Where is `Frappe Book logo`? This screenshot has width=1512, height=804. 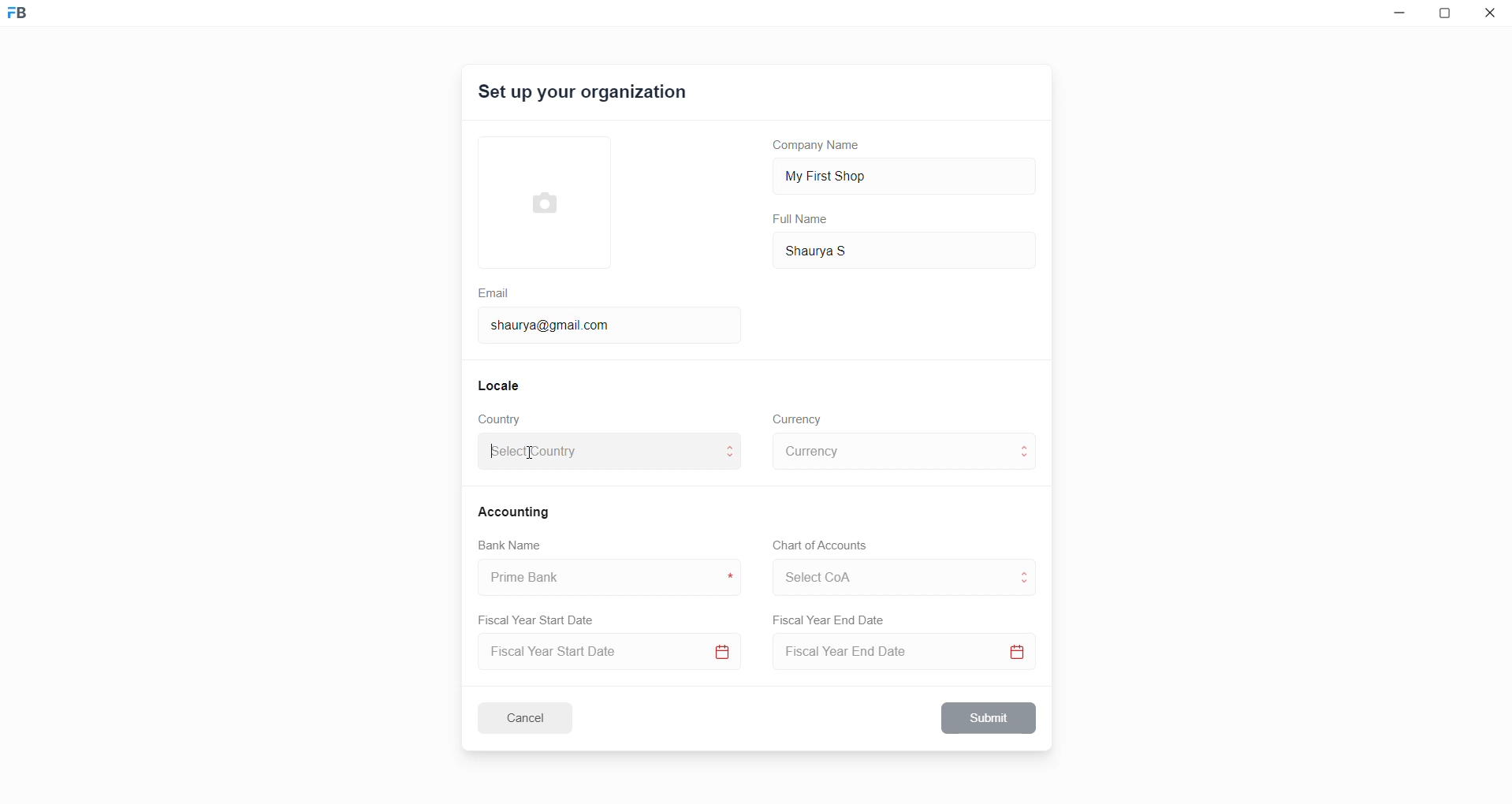
Frappe Book logo is located at coordinates (31, 20).